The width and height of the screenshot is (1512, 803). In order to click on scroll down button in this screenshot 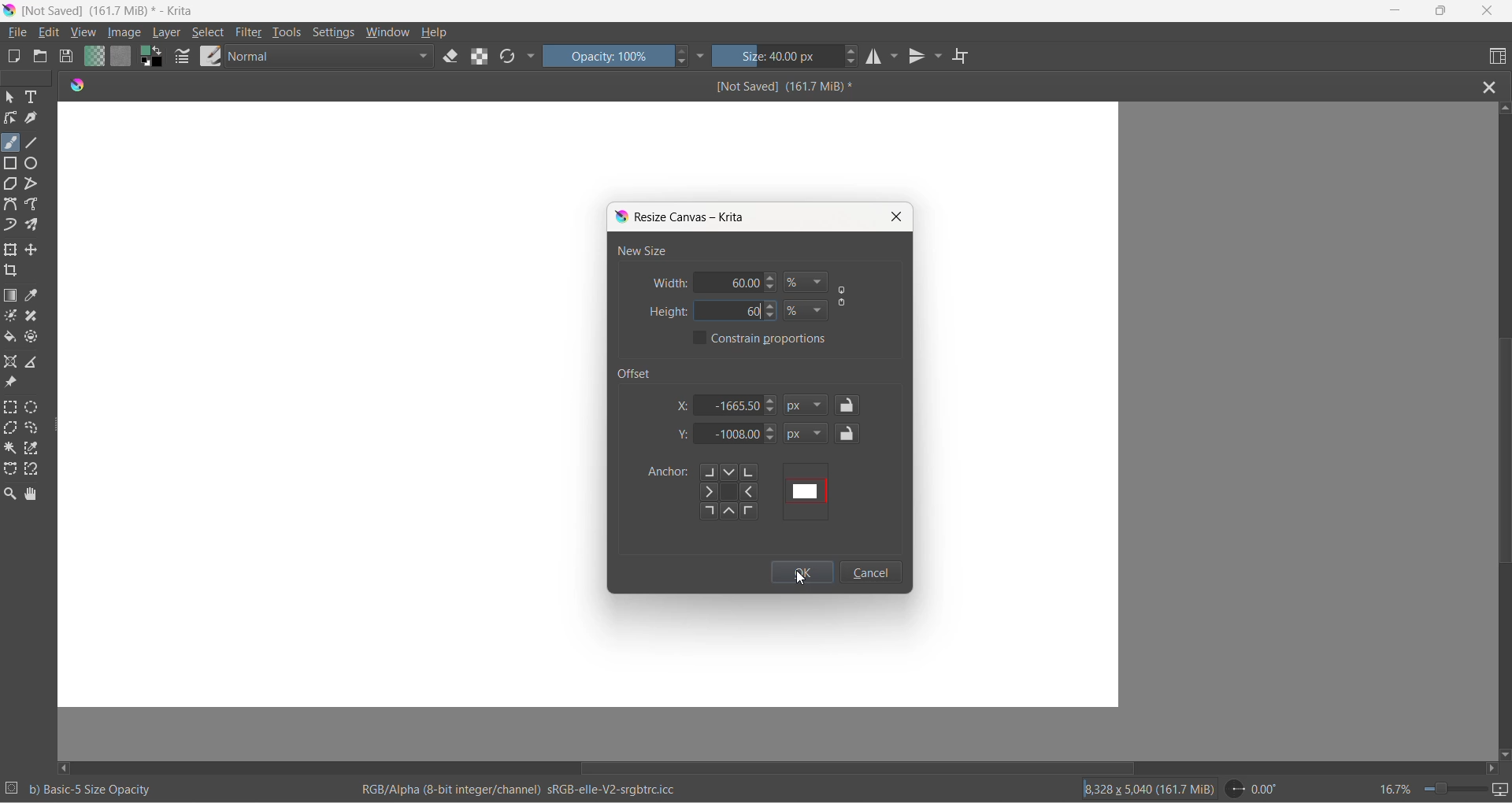, I will do `click(1503, 751)`.